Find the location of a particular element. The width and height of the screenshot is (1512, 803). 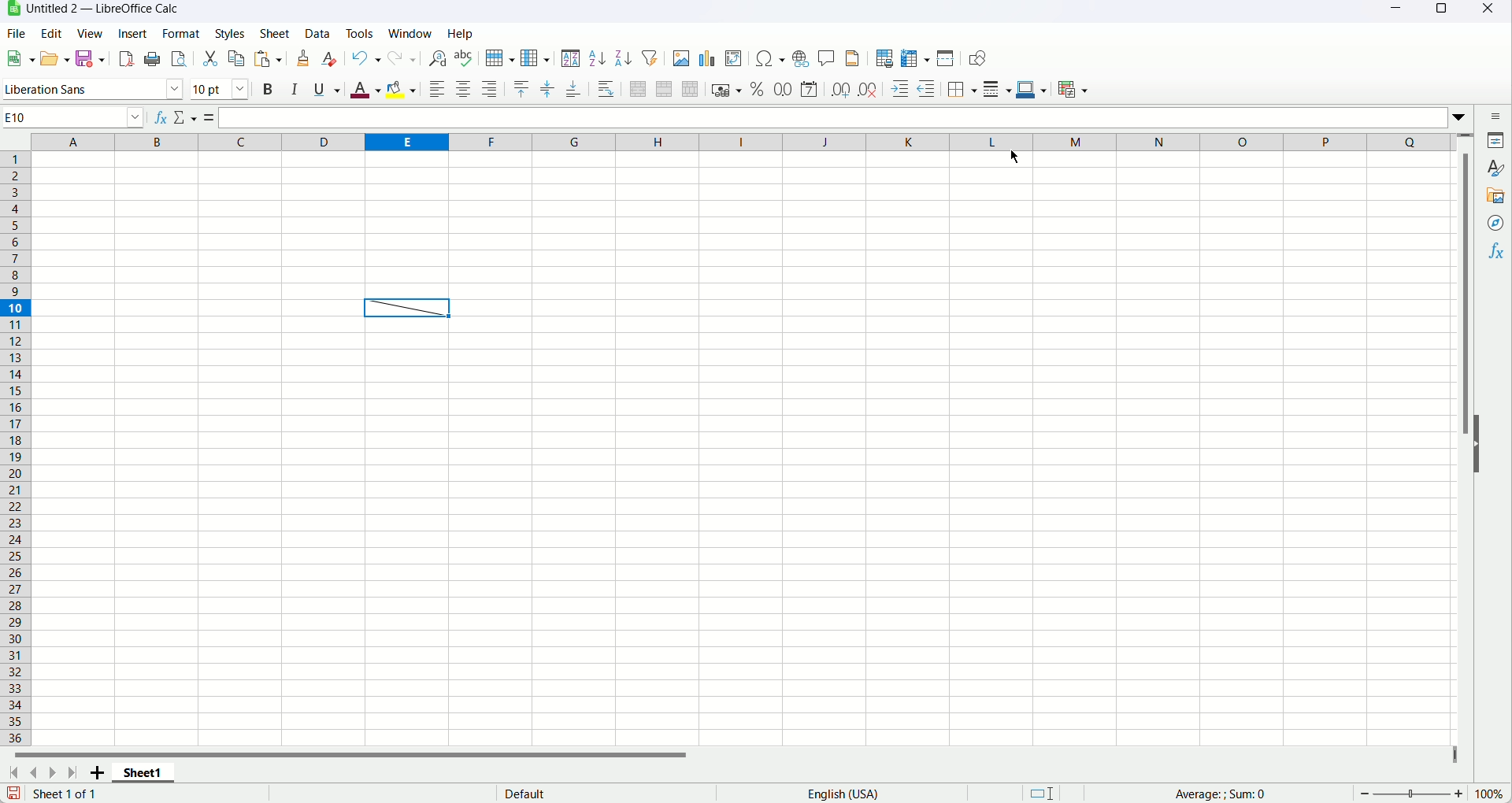

Hide is located at coordinates (1484, 443).